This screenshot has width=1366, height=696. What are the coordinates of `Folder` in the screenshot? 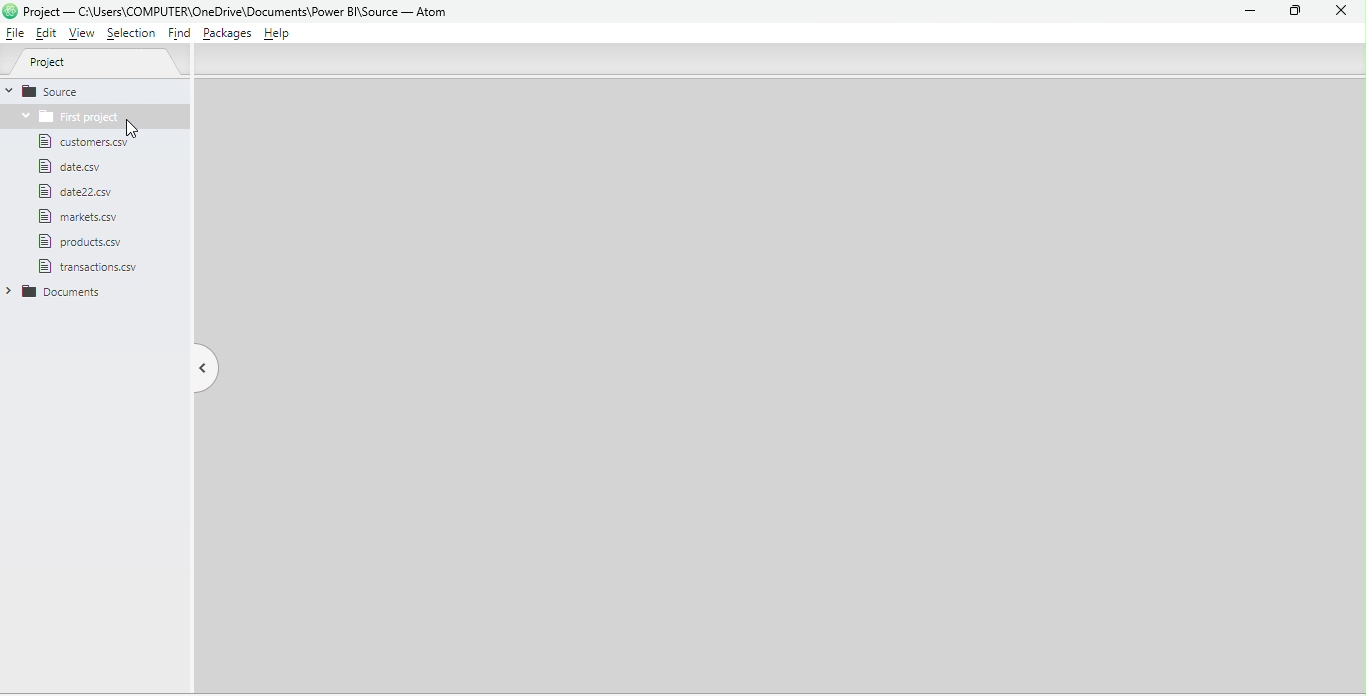 It's located at (61, 293).